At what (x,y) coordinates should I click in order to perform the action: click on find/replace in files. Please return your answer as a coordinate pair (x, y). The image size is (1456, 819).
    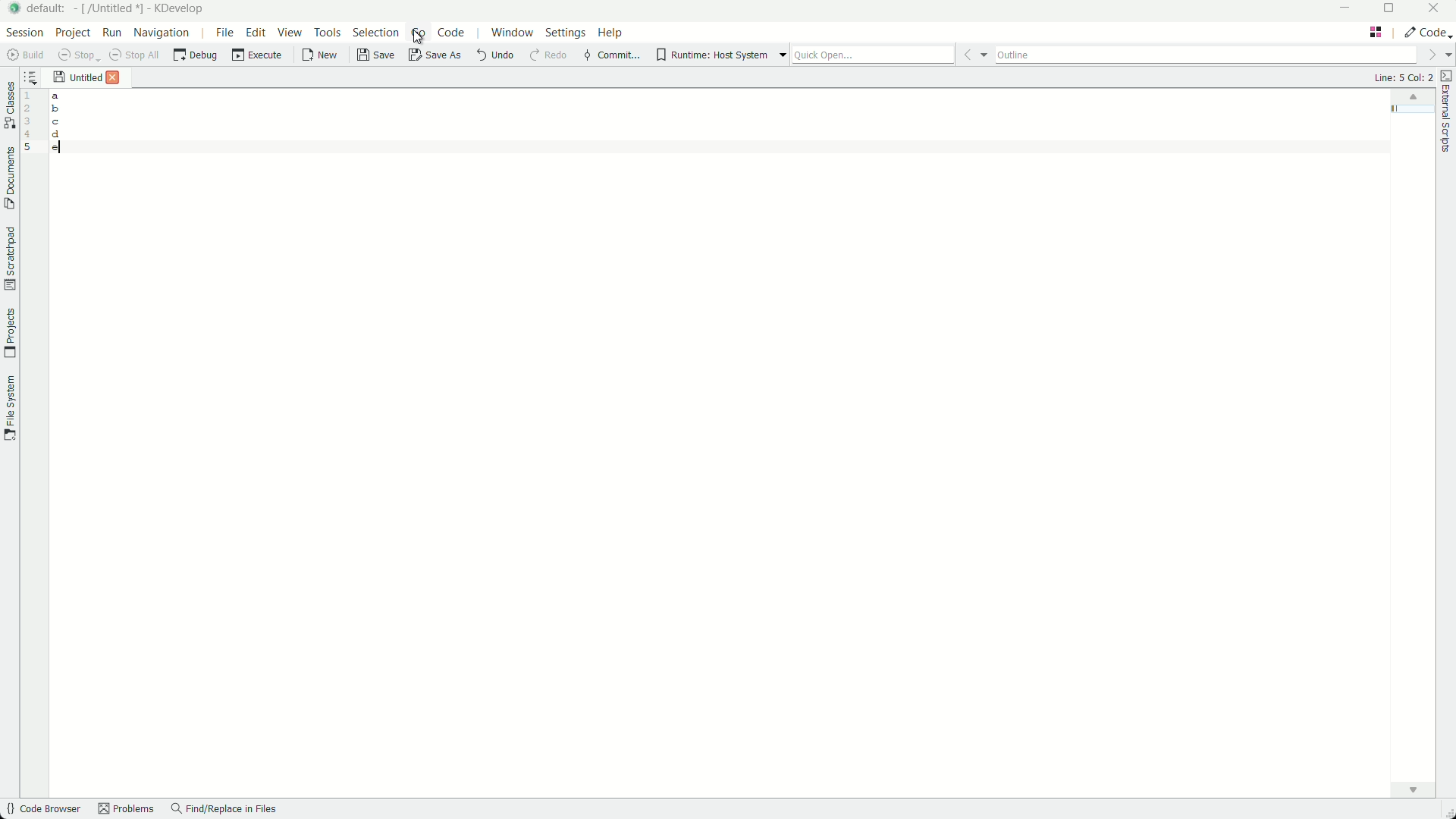
    Looking at the image, I should click on (227, 811).